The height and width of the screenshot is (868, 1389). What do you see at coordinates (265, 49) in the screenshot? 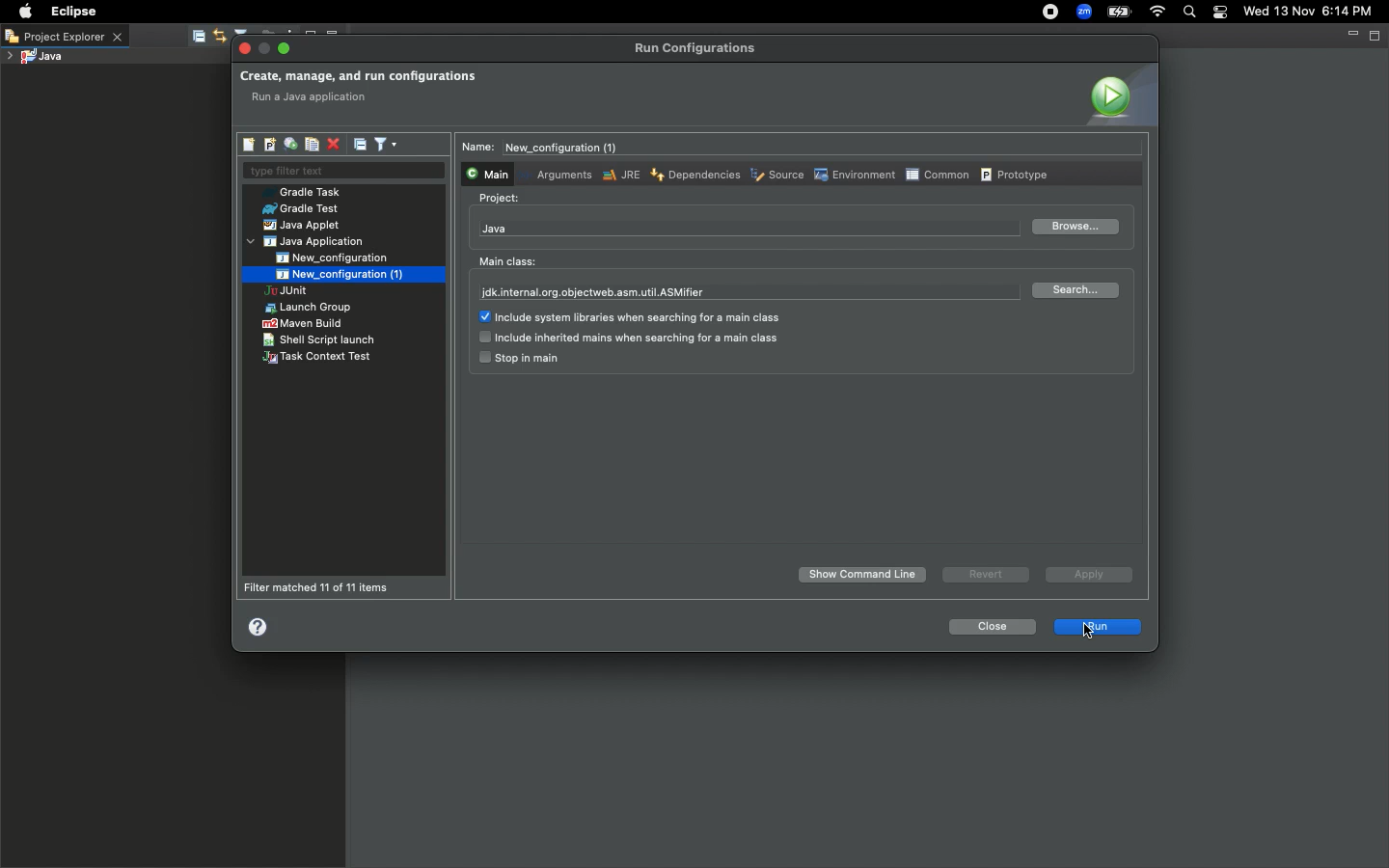
I see `minimize` at bounding box center [265, 49].